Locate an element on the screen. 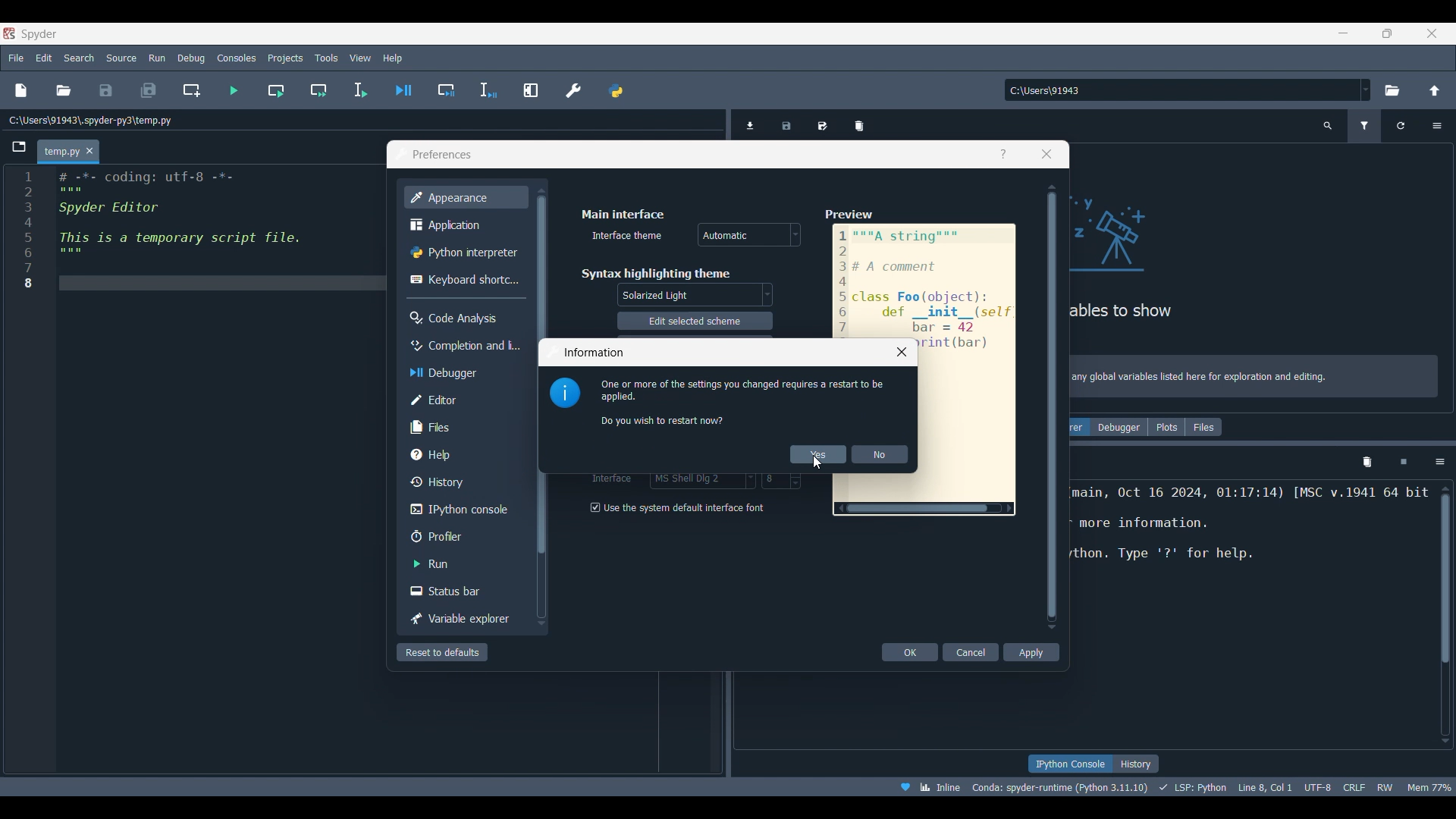 The width and height of the screenshot is (1456, 819). Application is located at coordinates (463, 224).